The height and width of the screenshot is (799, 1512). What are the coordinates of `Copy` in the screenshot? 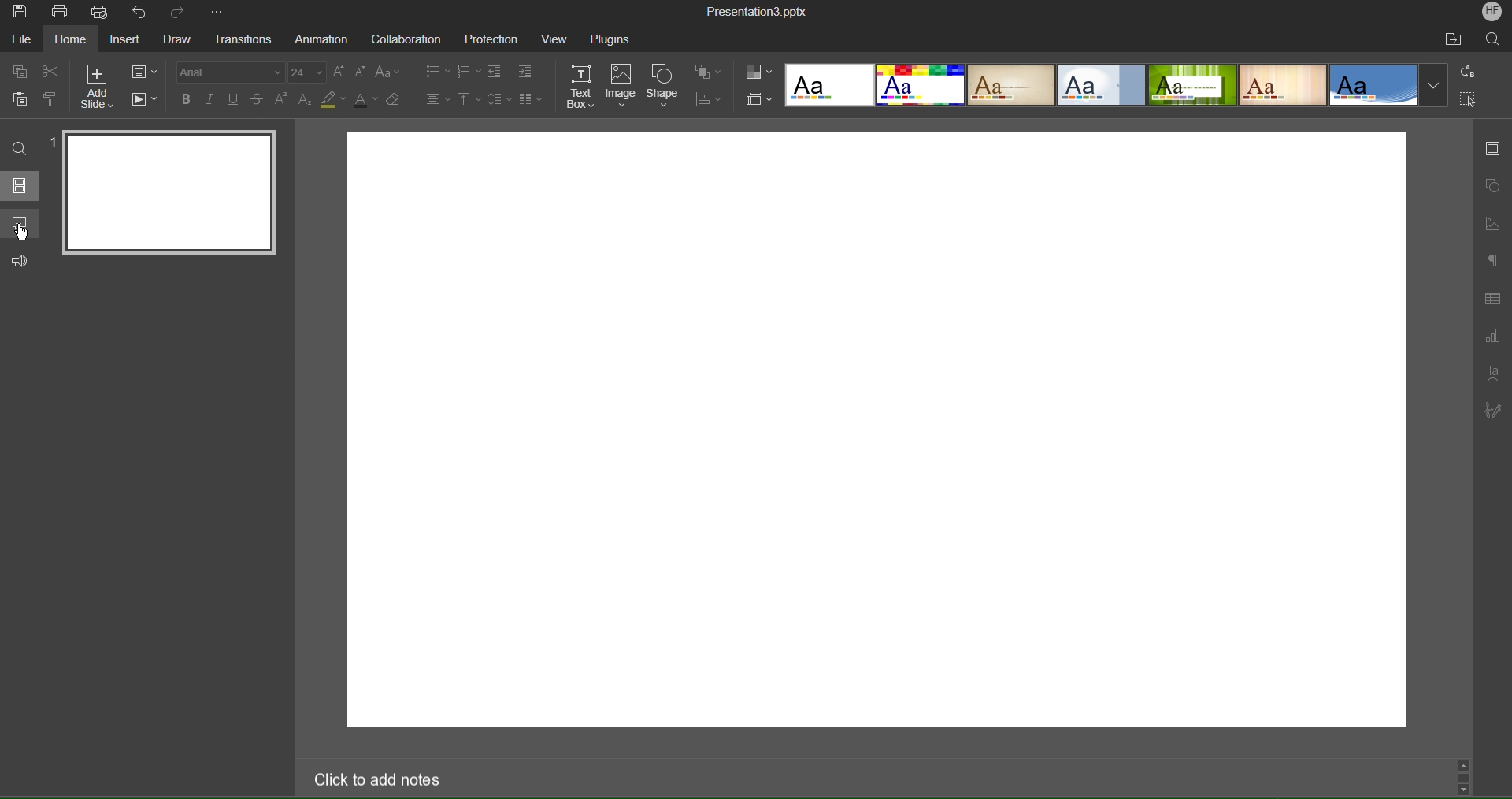 It's located at (21, 71).